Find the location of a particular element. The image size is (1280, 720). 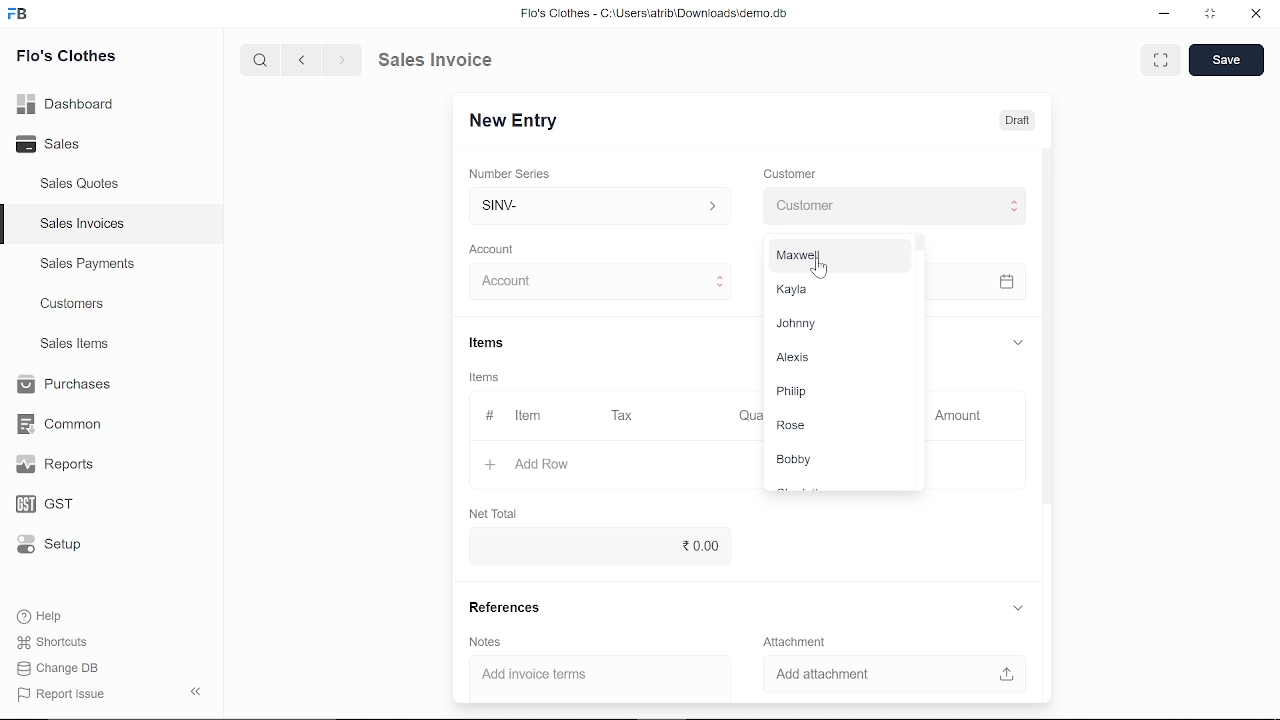

Sales Items is located at coordinates (74, 346).